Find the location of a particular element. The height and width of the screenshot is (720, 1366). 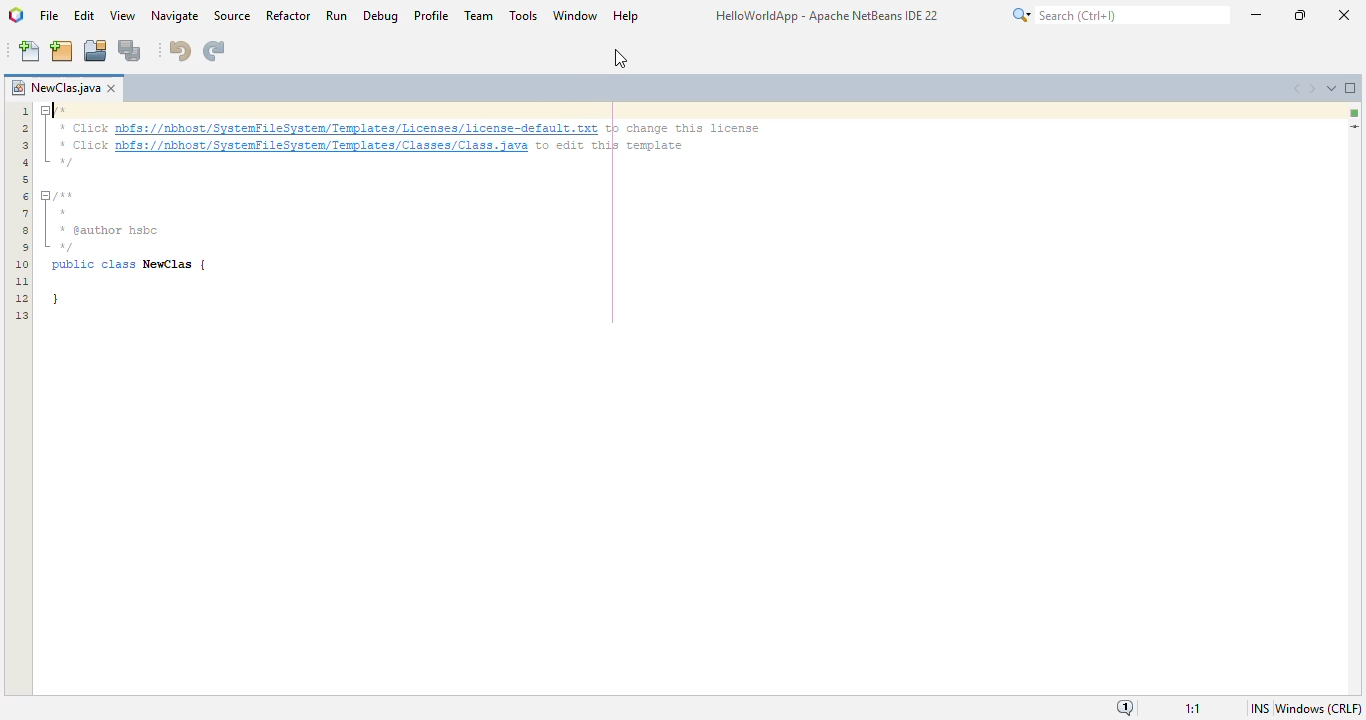

project name is located at coordinates (55, 88).